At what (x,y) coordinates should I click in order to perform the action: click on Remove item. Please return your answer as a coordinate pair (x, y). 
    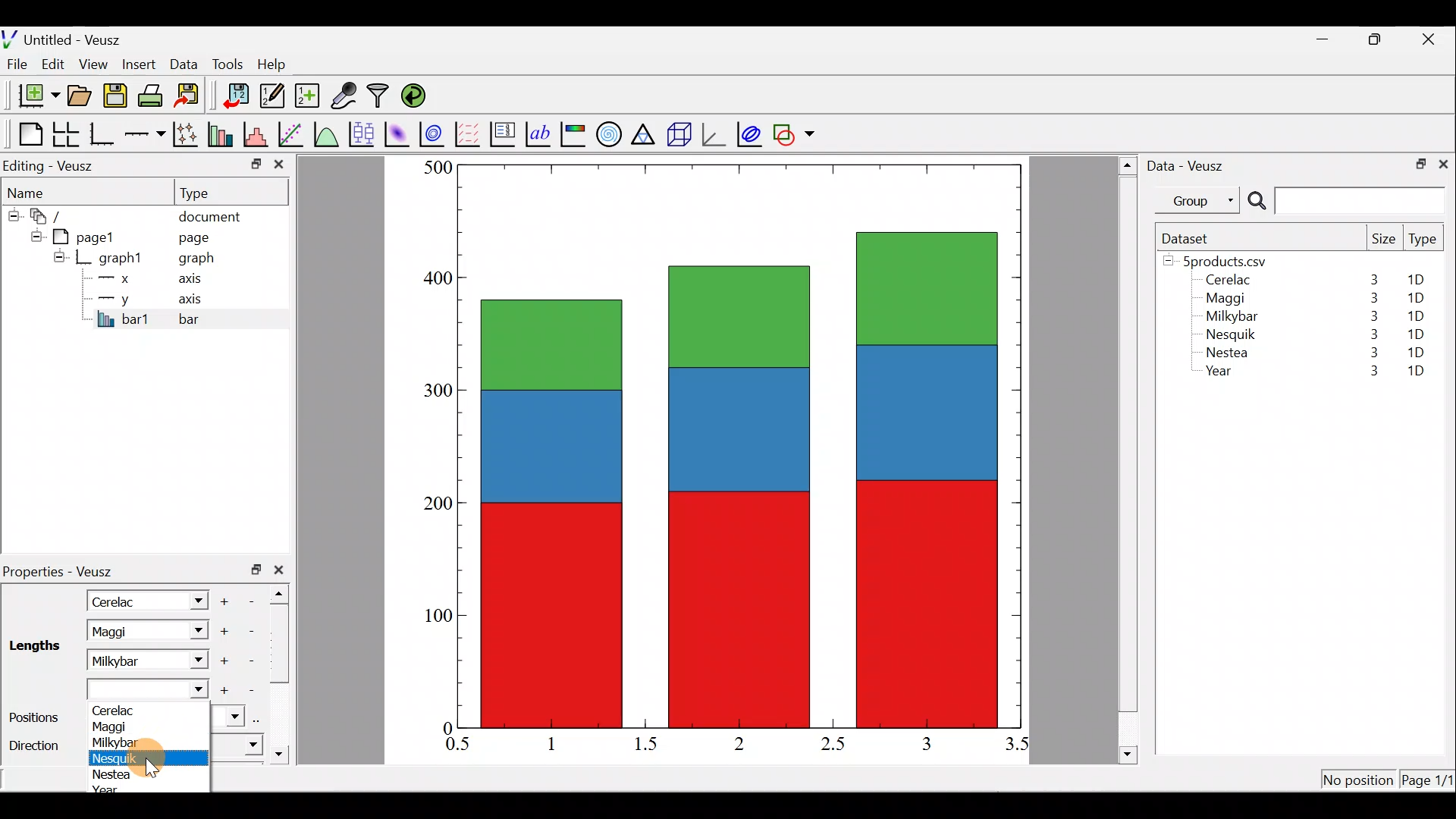
    Looking at the image, I should click on (249, 690).